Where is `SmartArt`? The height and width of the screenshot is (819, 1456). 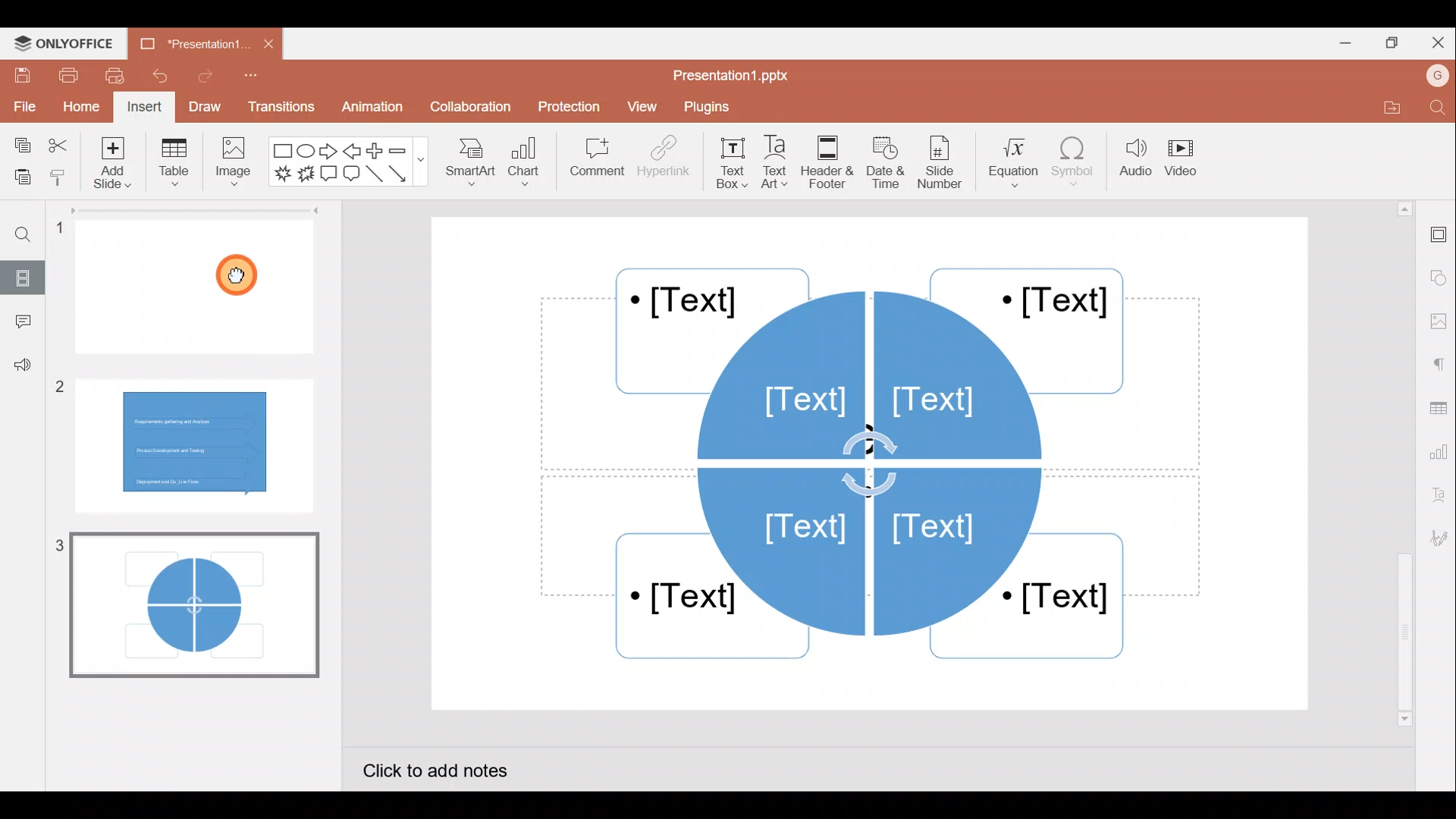 SmartArt is located at coordinates (470, 168).